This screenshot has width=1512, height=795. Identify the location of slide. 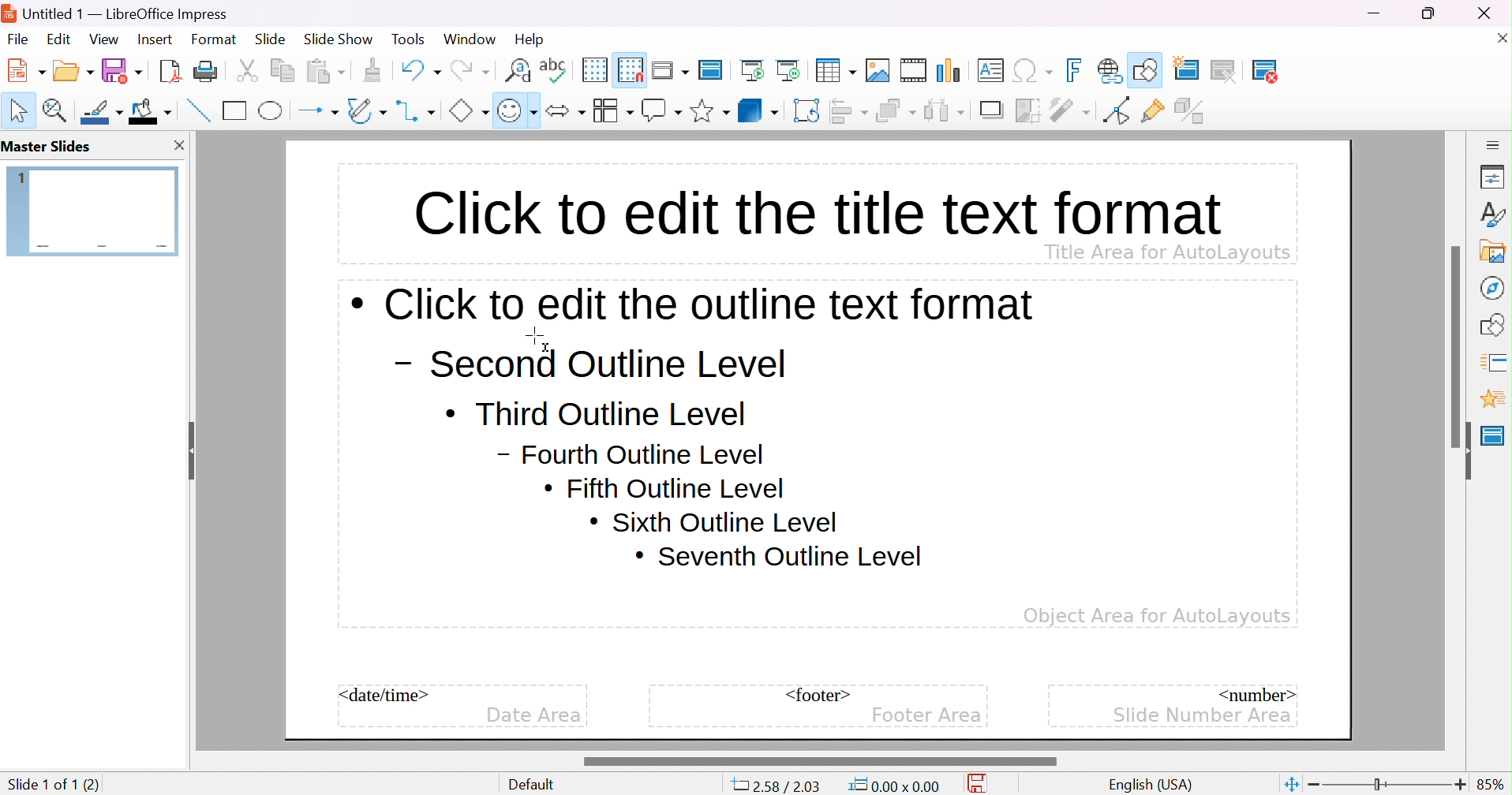
(93, 210).